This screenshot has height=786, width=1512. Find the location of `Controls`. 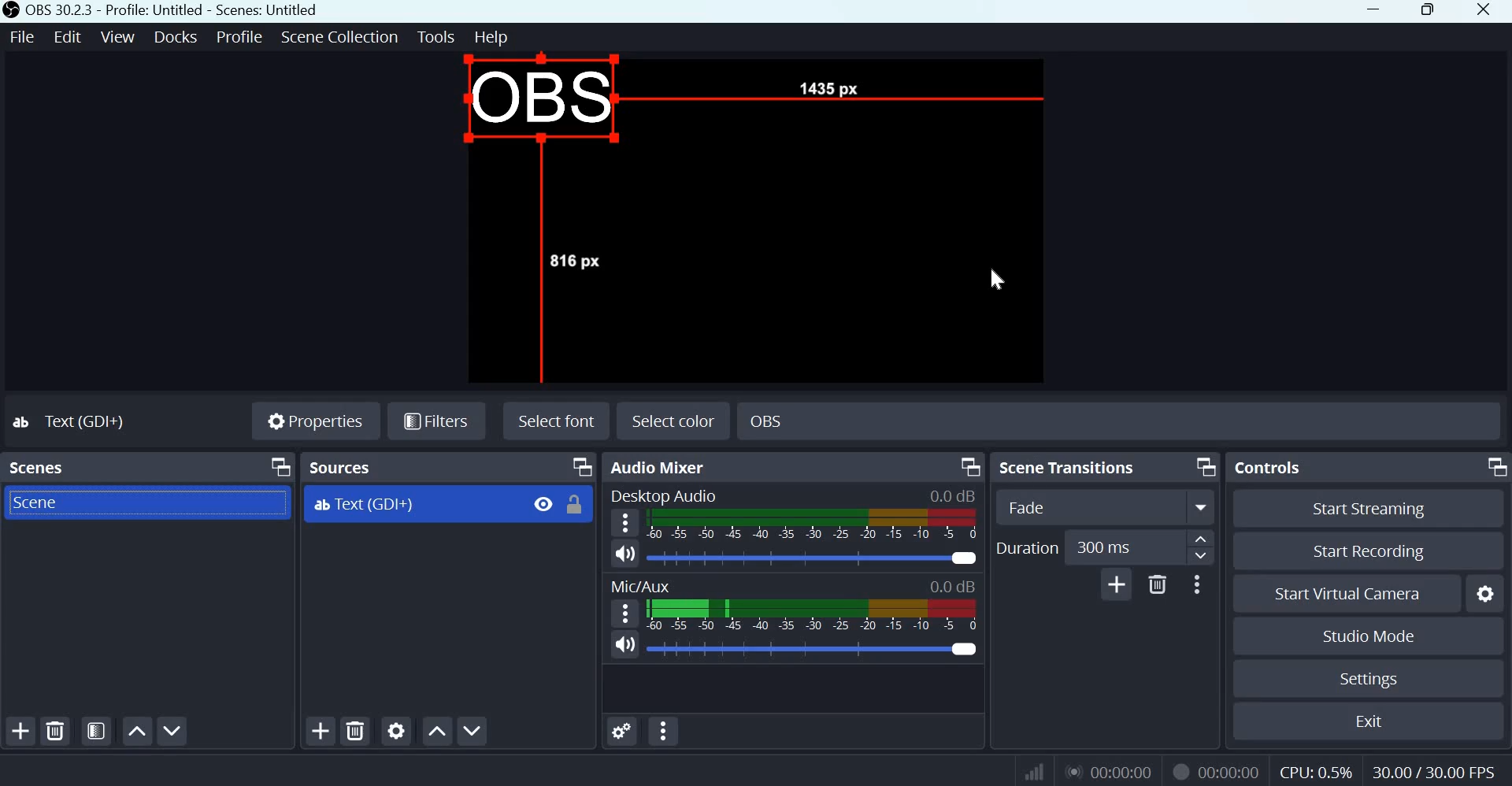

Controls is located at coordinates (1269, 468).